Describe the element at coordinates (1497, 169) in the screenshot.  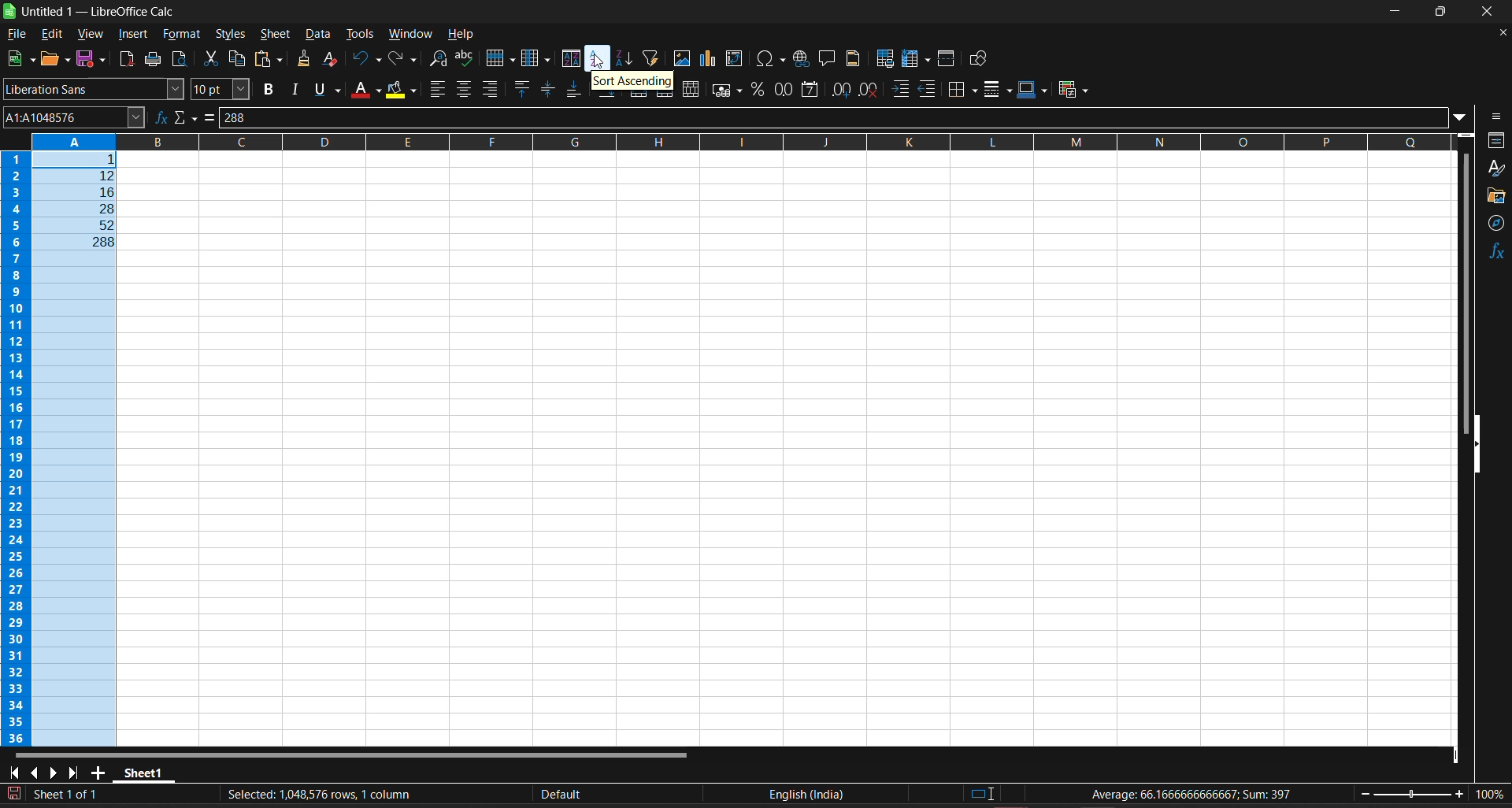
I see `styles` at that location.